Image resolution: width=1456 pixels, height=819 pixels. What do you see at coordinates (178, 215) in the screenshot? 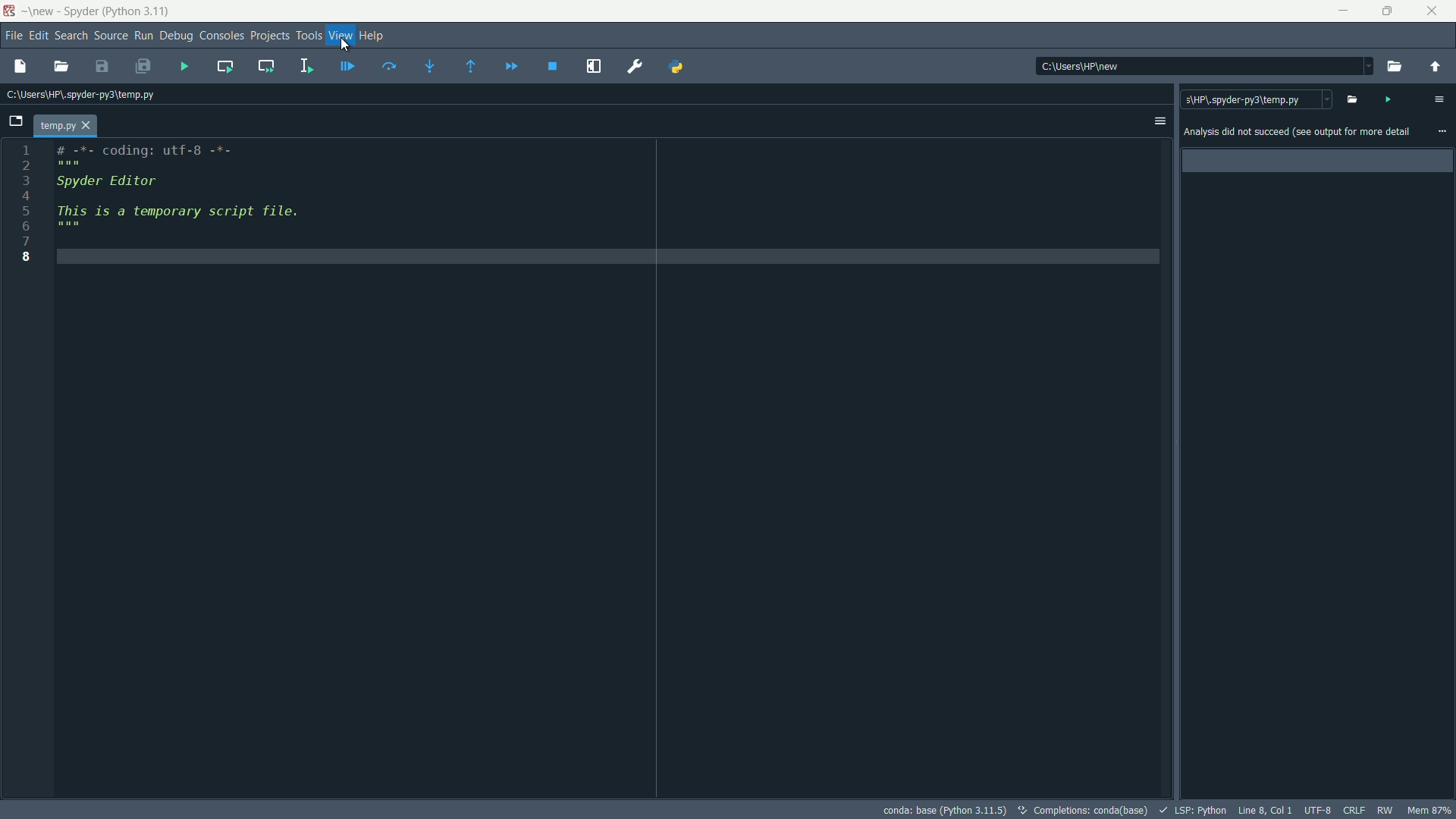
I see `'his is a temporary script file " " "` at bounding box center [178, 215].